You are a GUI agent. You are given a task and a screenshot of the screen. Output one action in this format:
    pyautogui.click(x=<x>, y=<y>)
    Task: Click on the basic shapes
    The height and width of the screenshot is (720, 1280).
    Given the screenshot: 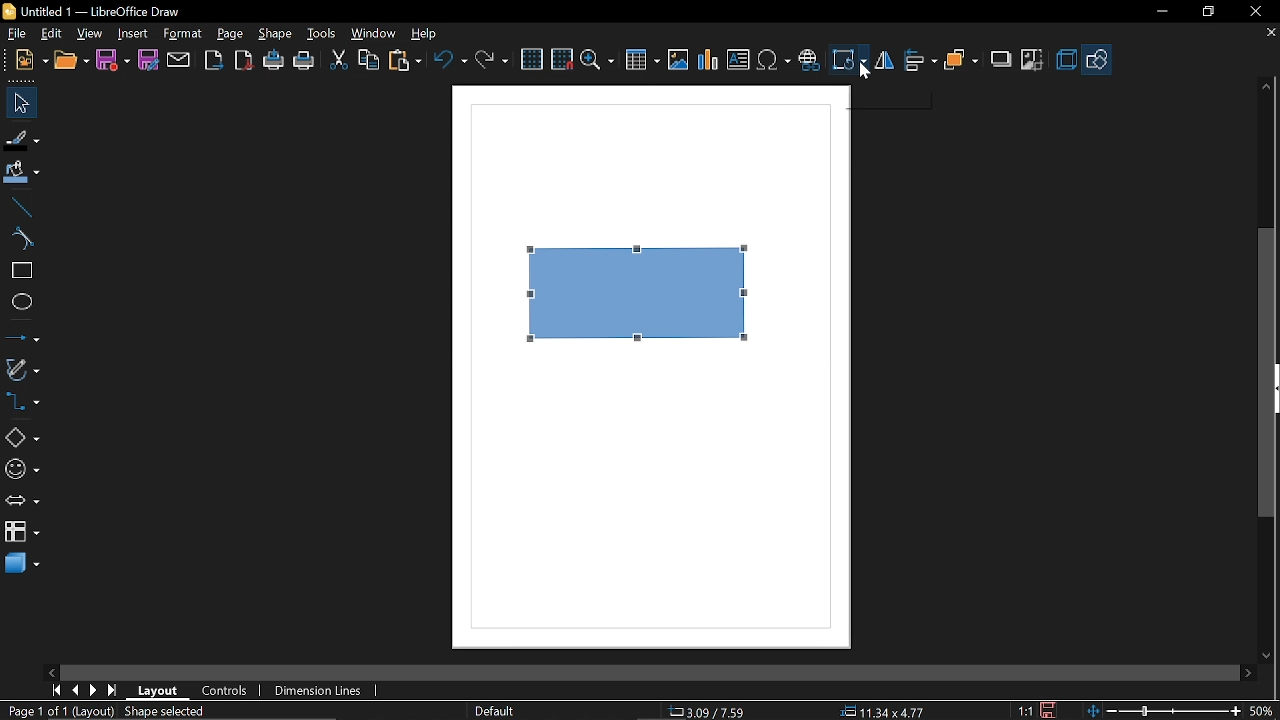 What is the action you would take?
    pyautogui.click(x=22, y=438)
    